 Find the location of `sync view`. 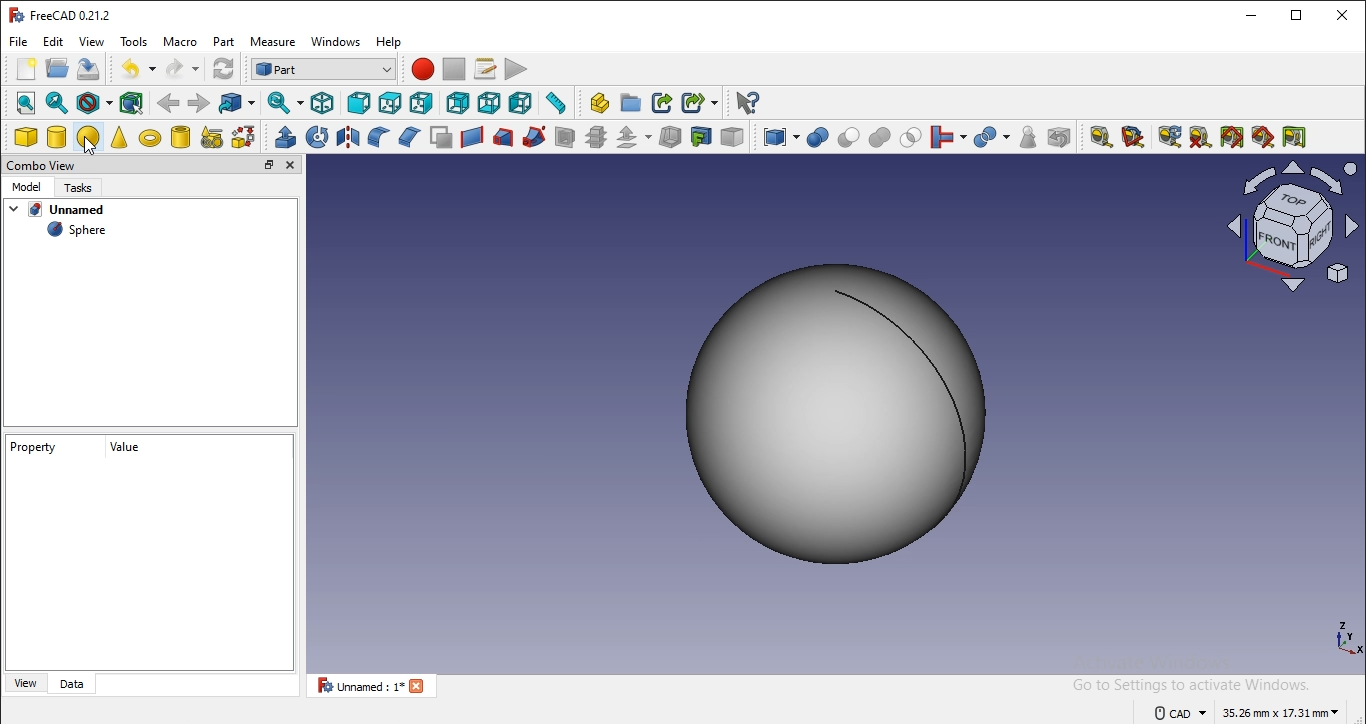

sync view is located at coordinates (280, 102).